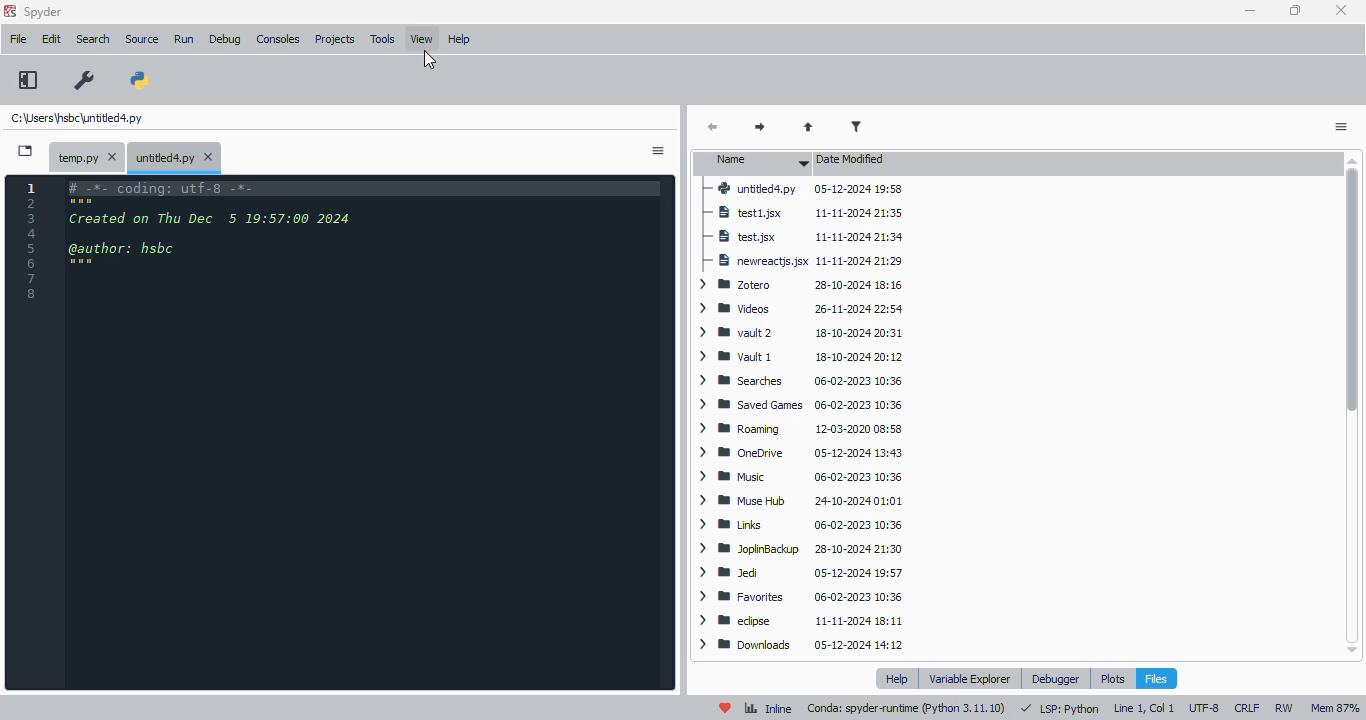 The image size is (1366, 720). Describe the element at coordinates (1335, 708) in the screenshot. I see `mem 87%` at that location.